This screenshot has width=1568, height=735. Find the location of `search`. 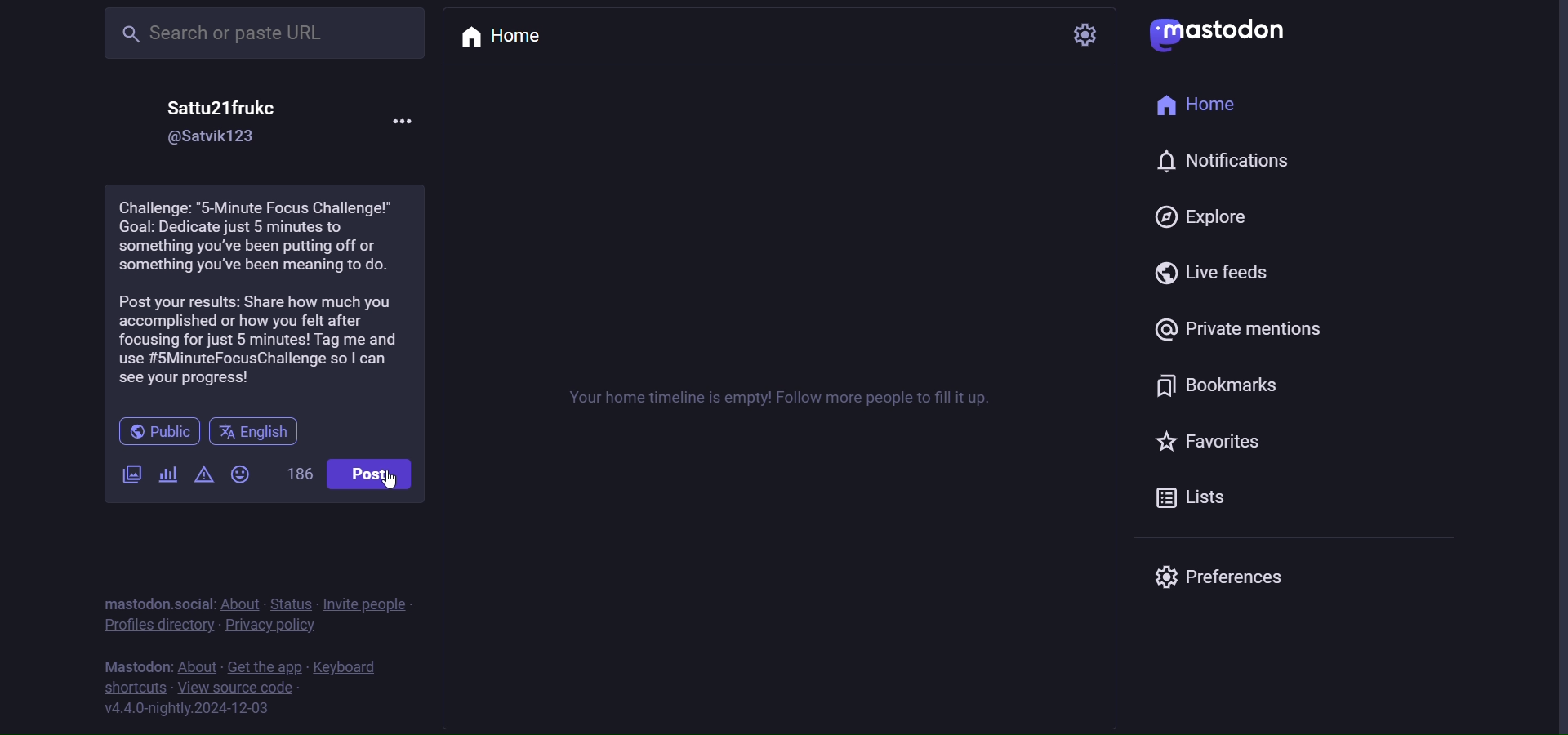

search is located at coordinates (264, 32).